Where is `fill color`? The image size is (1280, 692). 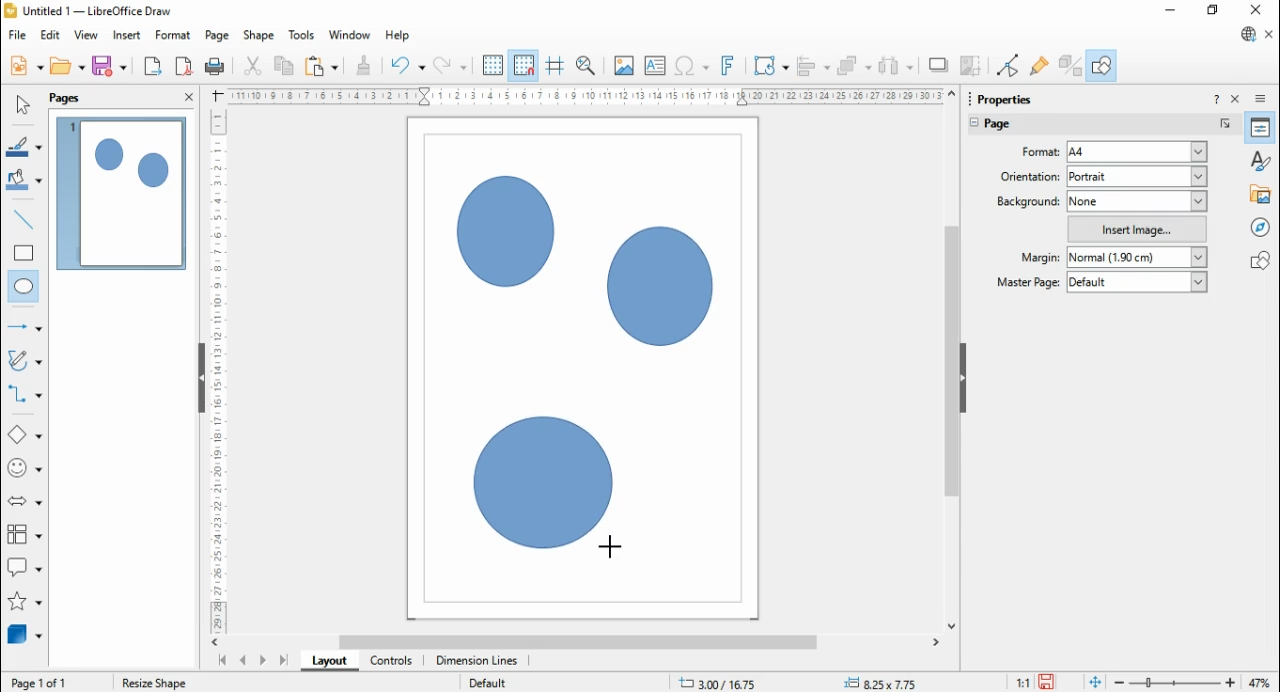
fill color is located at coordinates (25, 181).